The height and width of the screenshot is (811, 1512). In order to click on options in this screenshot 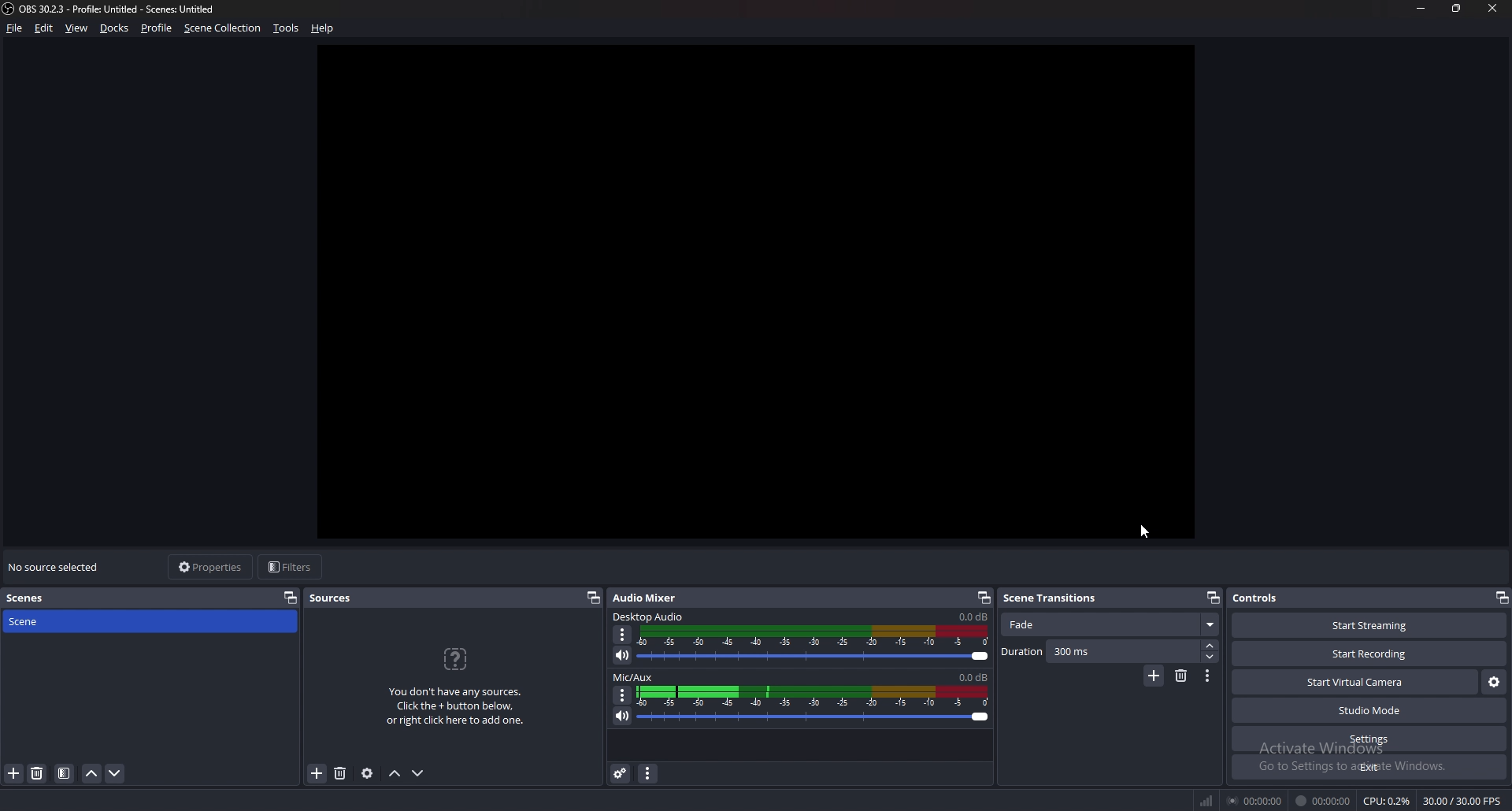, I will do `click(624, 635)`.